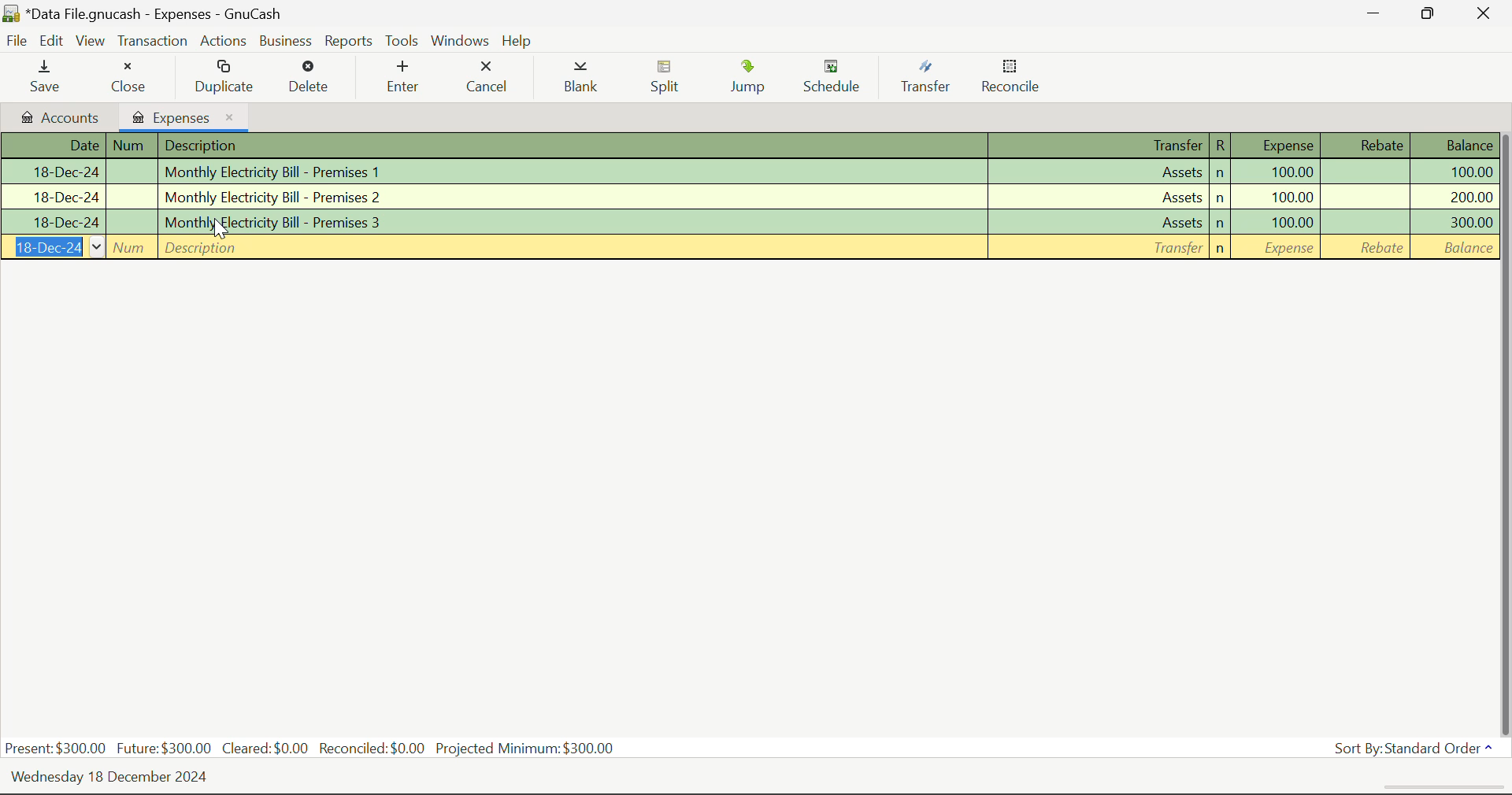 This screenshot has height=795, width=1512. What do you see at coordinates (840, 79) in the screenshot?
I see `Schedule` at bounding box center [840, 79].